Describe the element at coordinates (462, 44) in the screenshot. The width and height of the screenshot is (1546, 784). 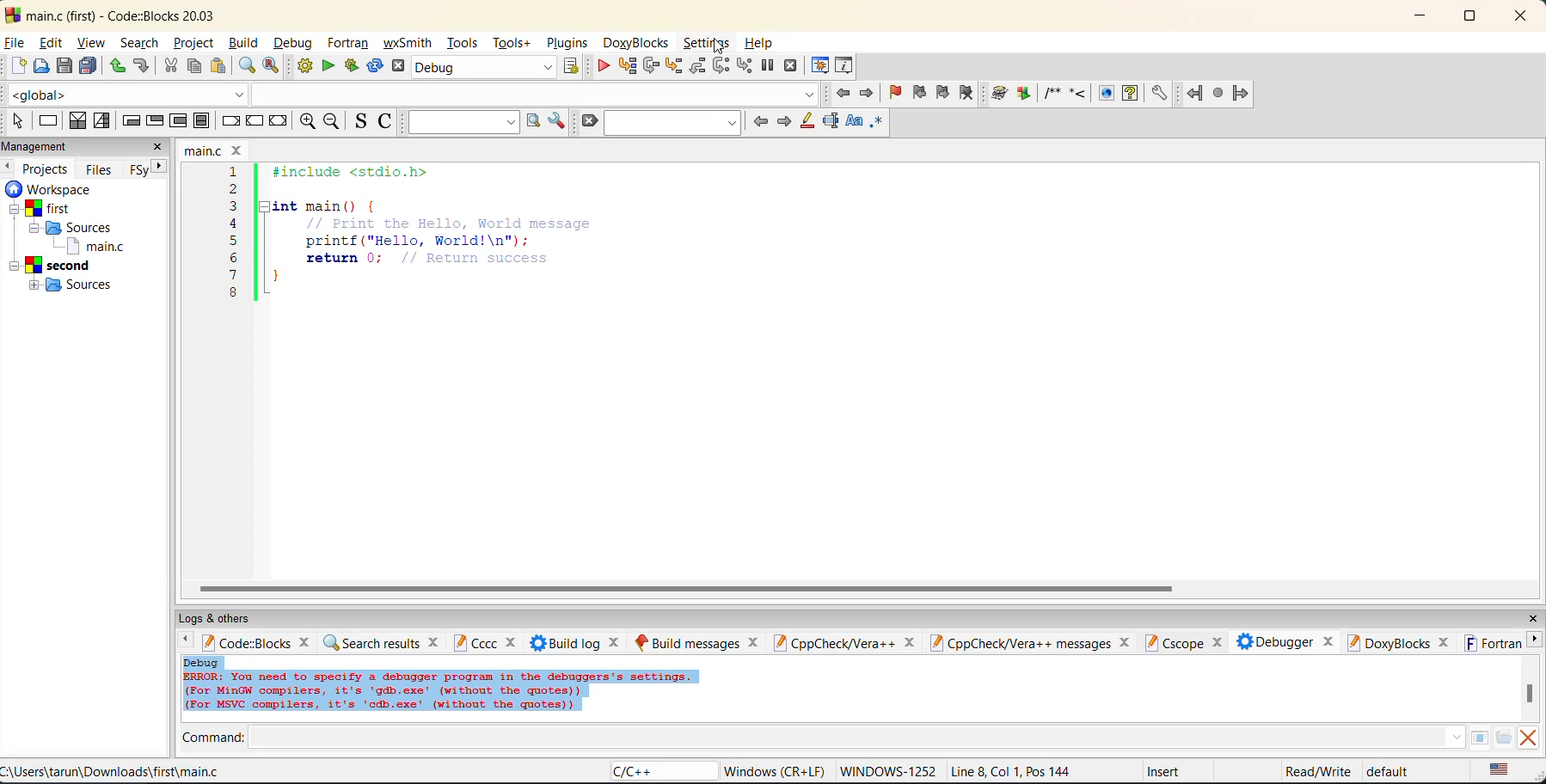
I see `tools` at that location.